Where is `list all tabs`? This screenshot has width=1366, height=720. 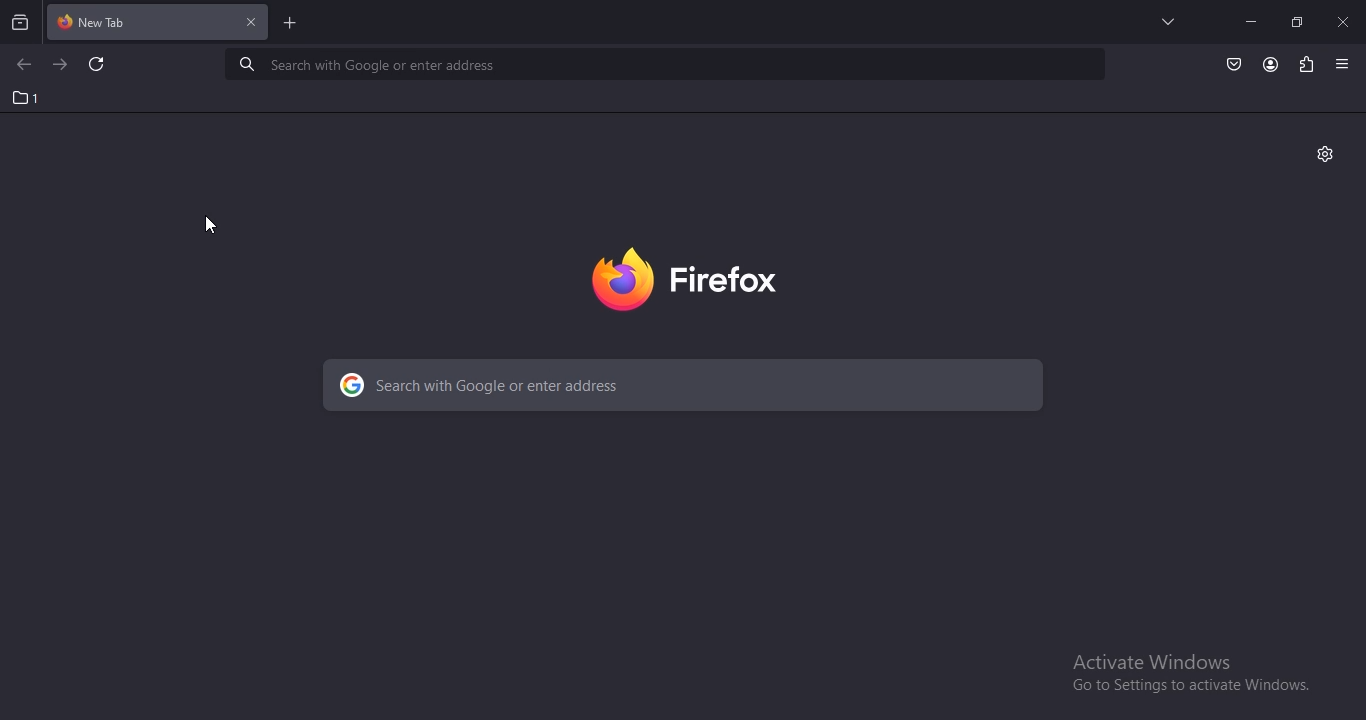
list all tabs is located at coordinates (1163, 21).